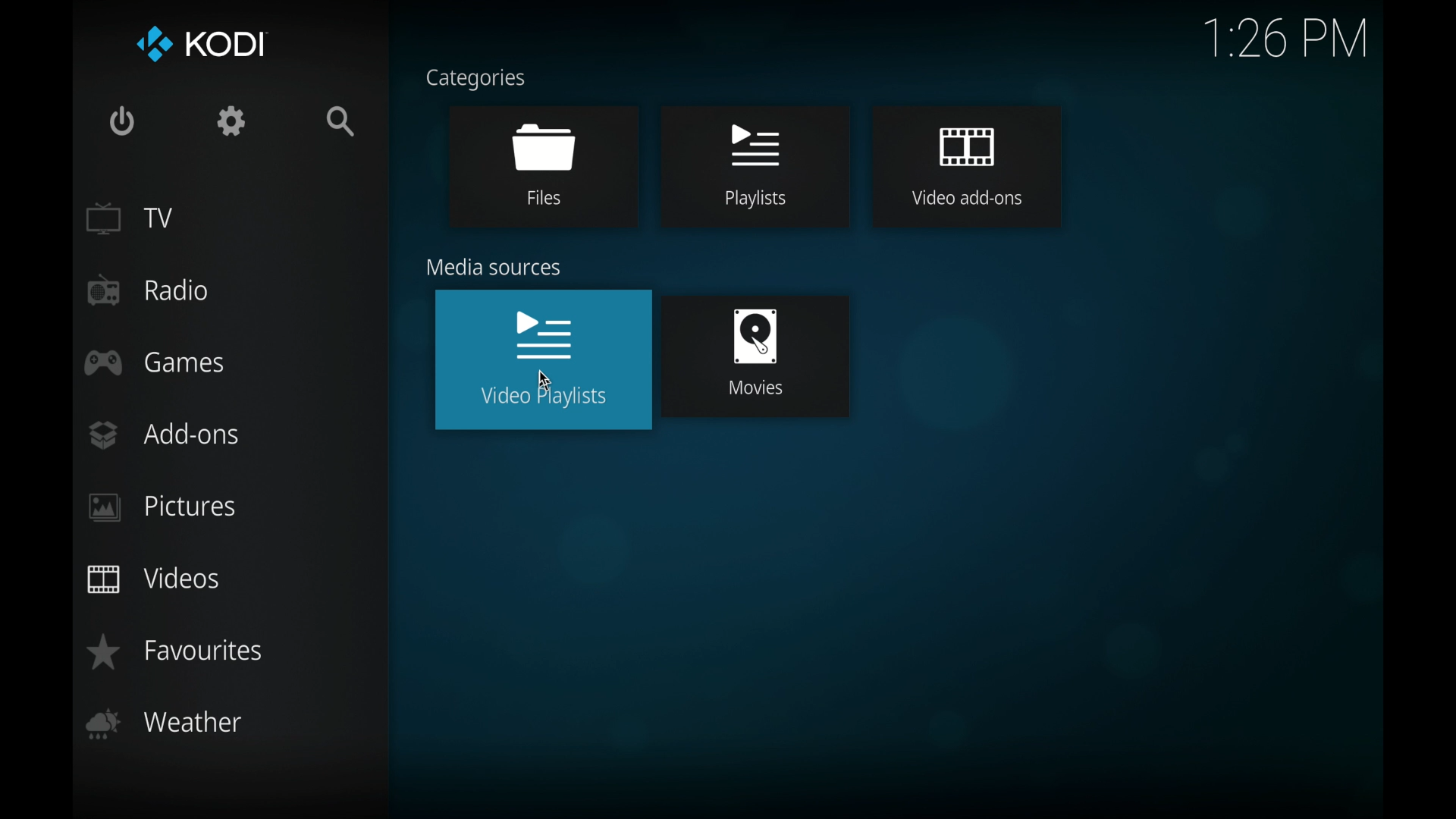 This screenshot has width=1456, height=819. What do you see at coordinates (149, 291) in the screenshot?
I see `radio` at bounding box center [149, 291].